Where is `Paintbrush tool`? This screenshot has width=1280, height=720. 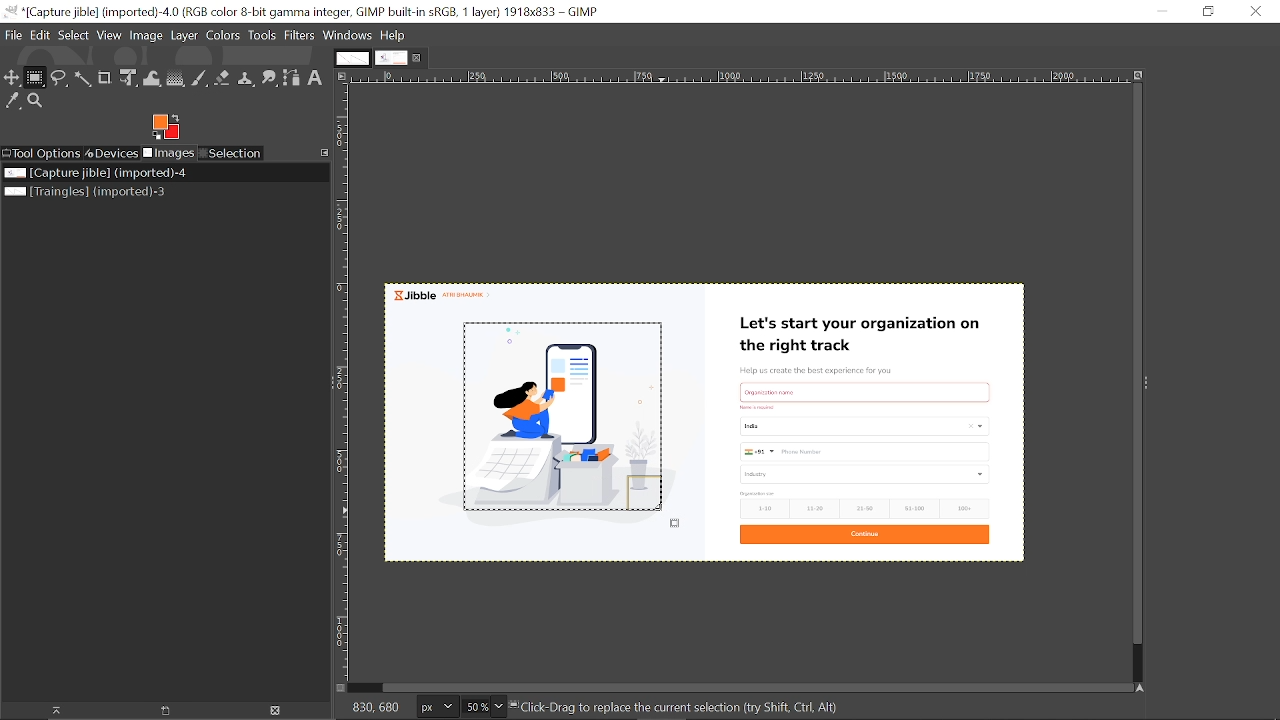 Paintbrush tool is located at coordinates (201, 77).